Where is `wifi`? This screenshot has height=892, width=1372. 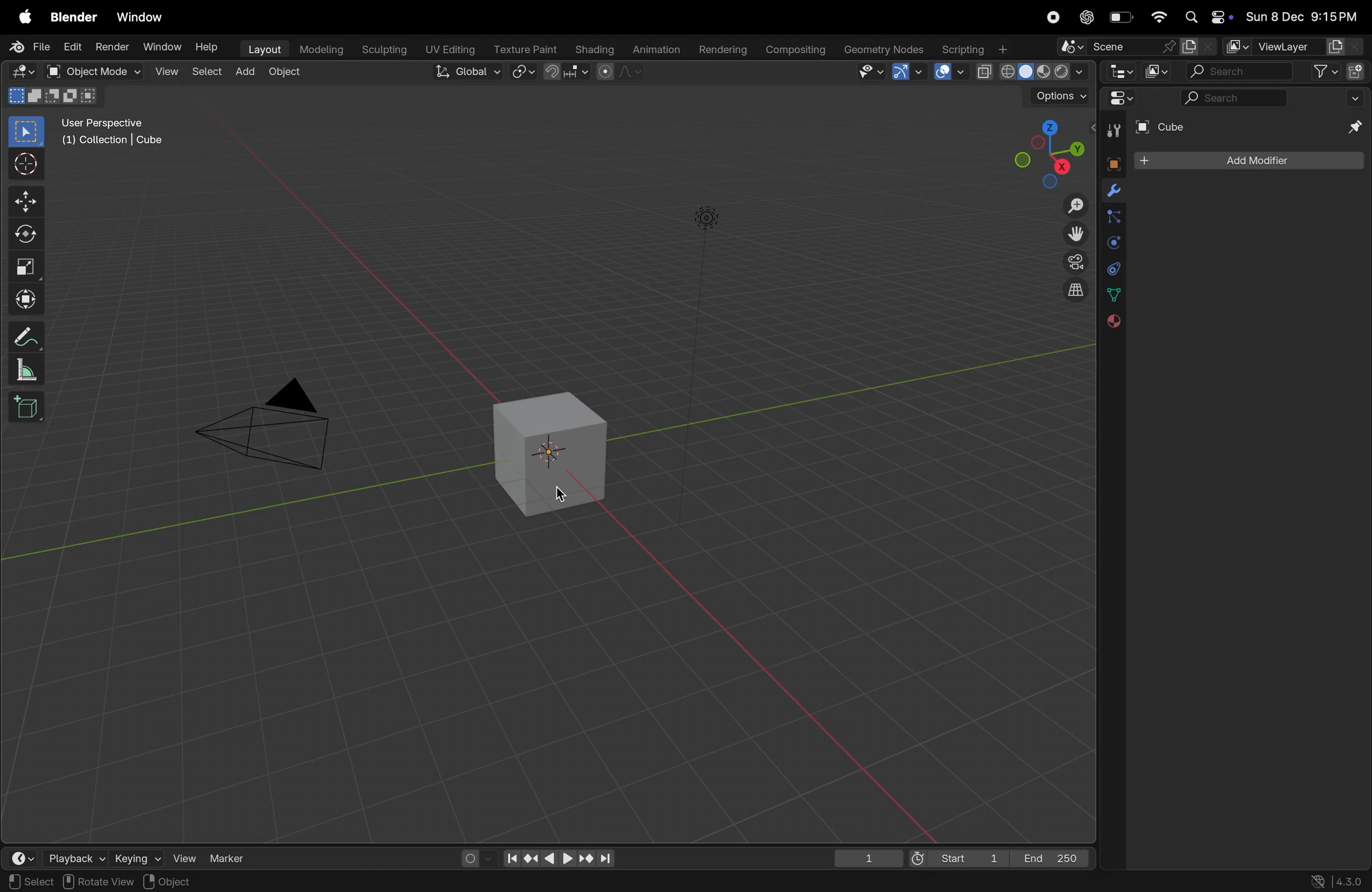
wifi is located at coordinates (1159, 17).